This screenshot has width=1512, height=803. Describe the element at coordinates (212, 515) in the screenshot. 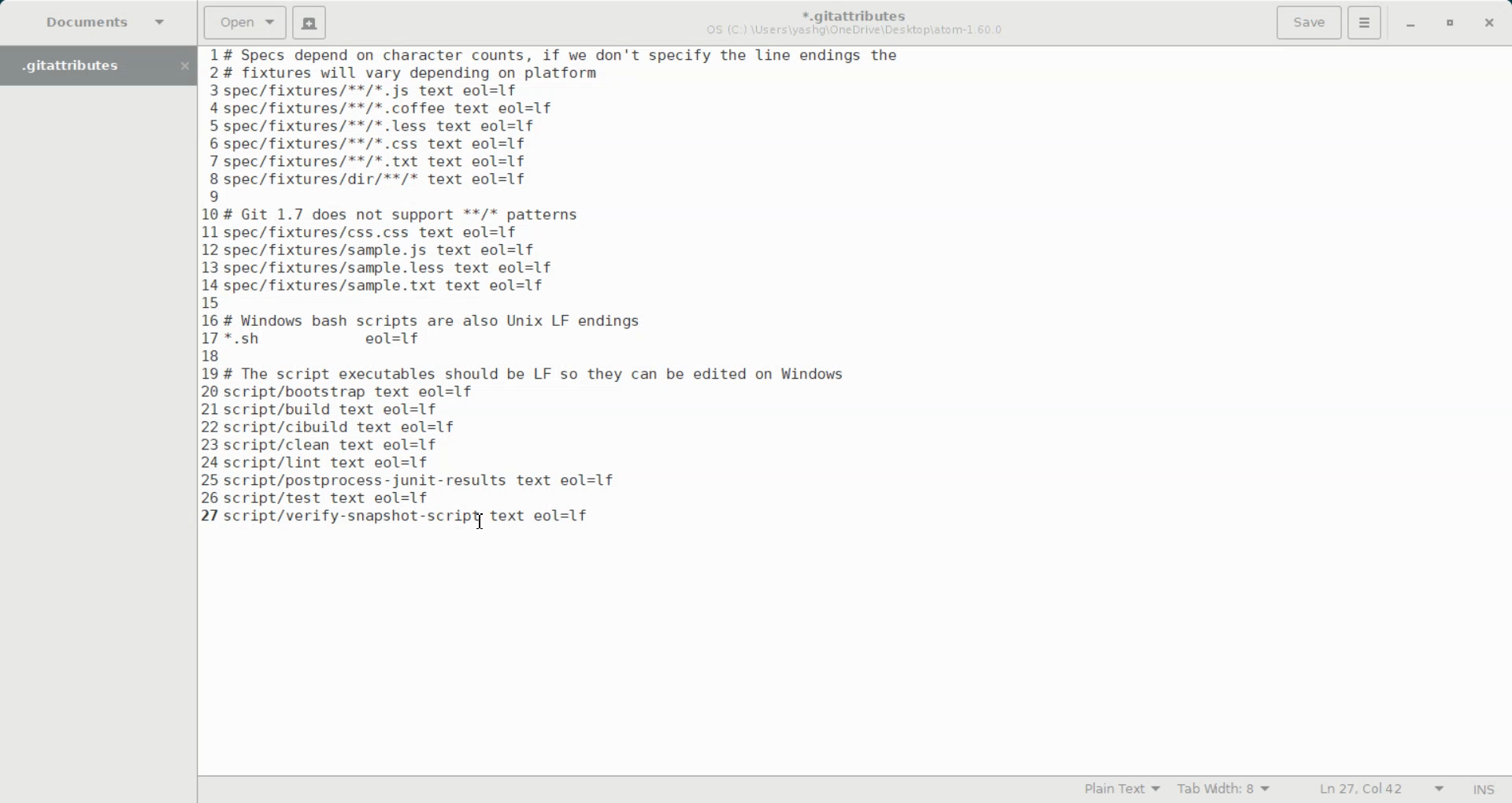

I see `text line number: 27` at that location.